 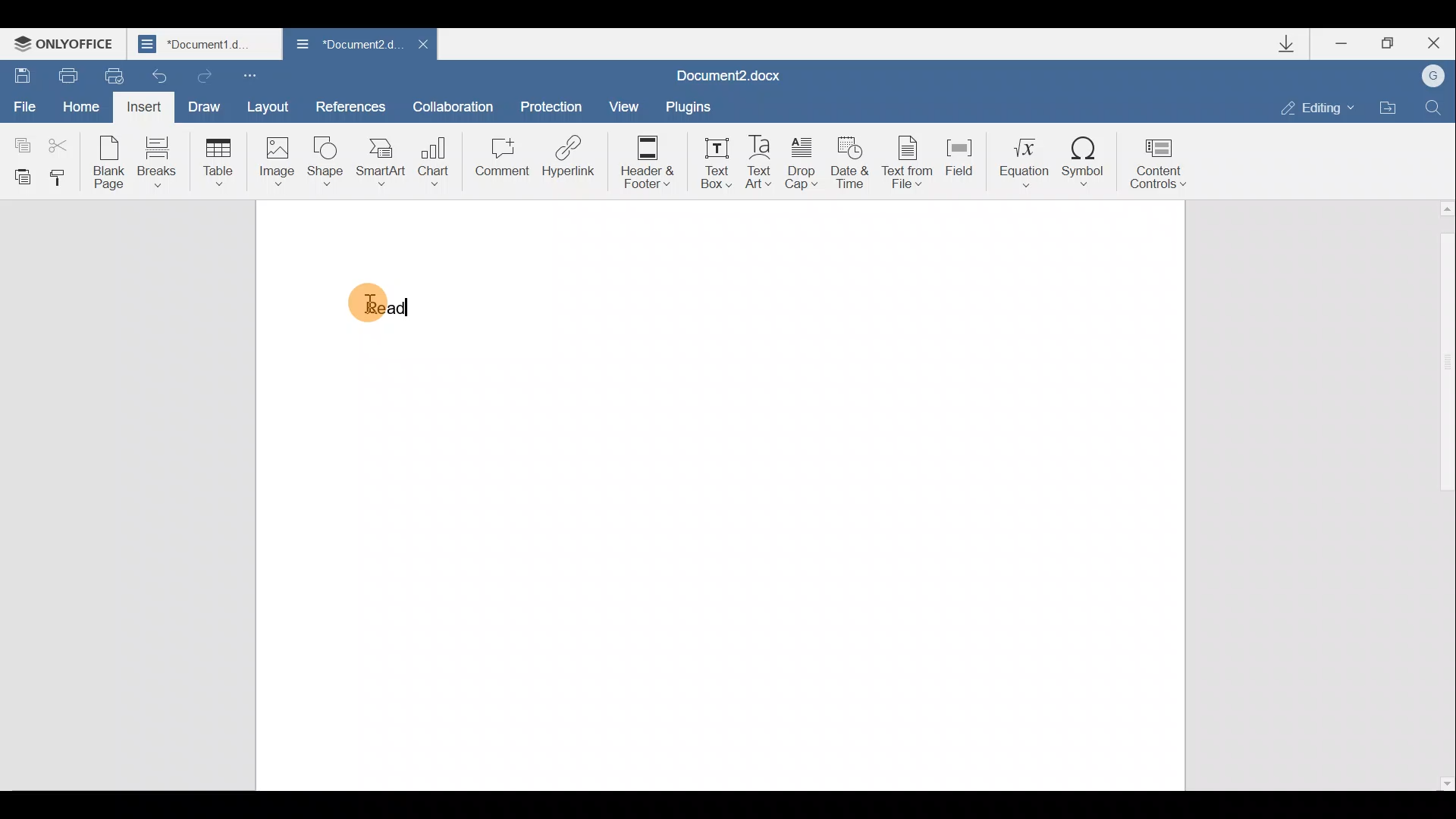 I want to click on Copy style, so click(x=62, y=178).